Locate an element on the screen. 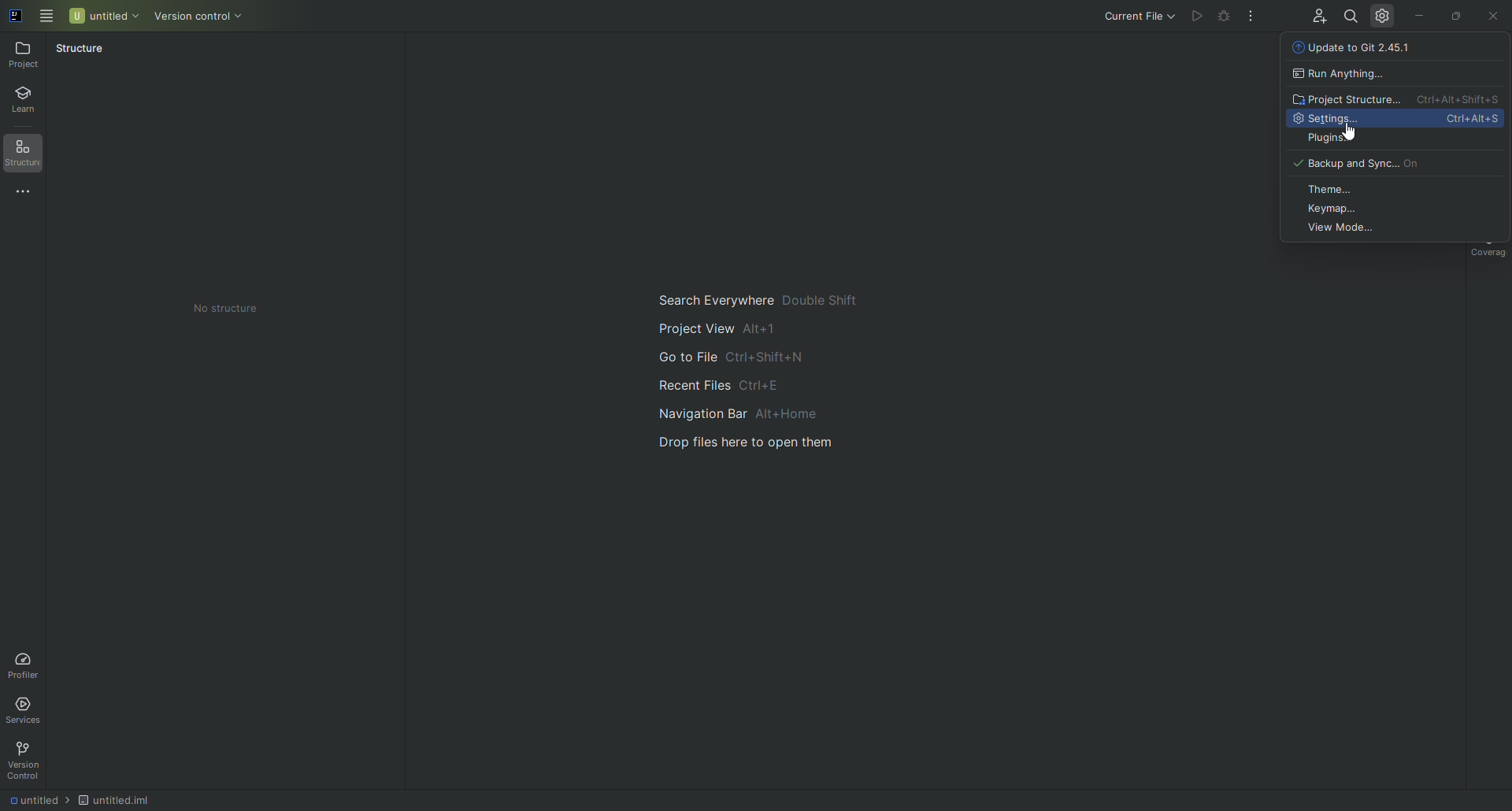  No Structure is located at coordinates (229, 308).